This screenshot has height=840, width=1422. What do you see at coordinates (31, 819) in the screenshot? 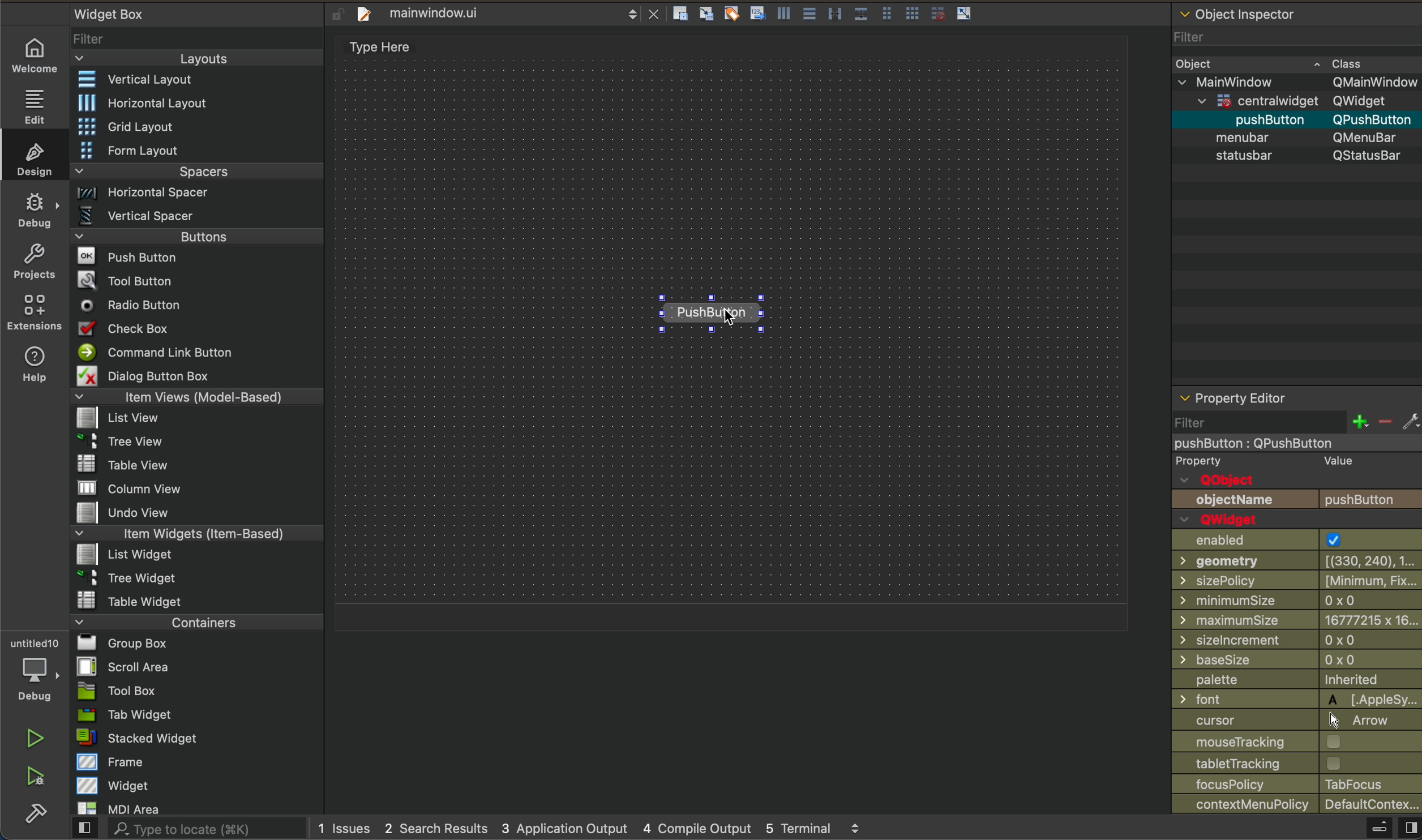
I see `build` at bounding box center [31, 819].